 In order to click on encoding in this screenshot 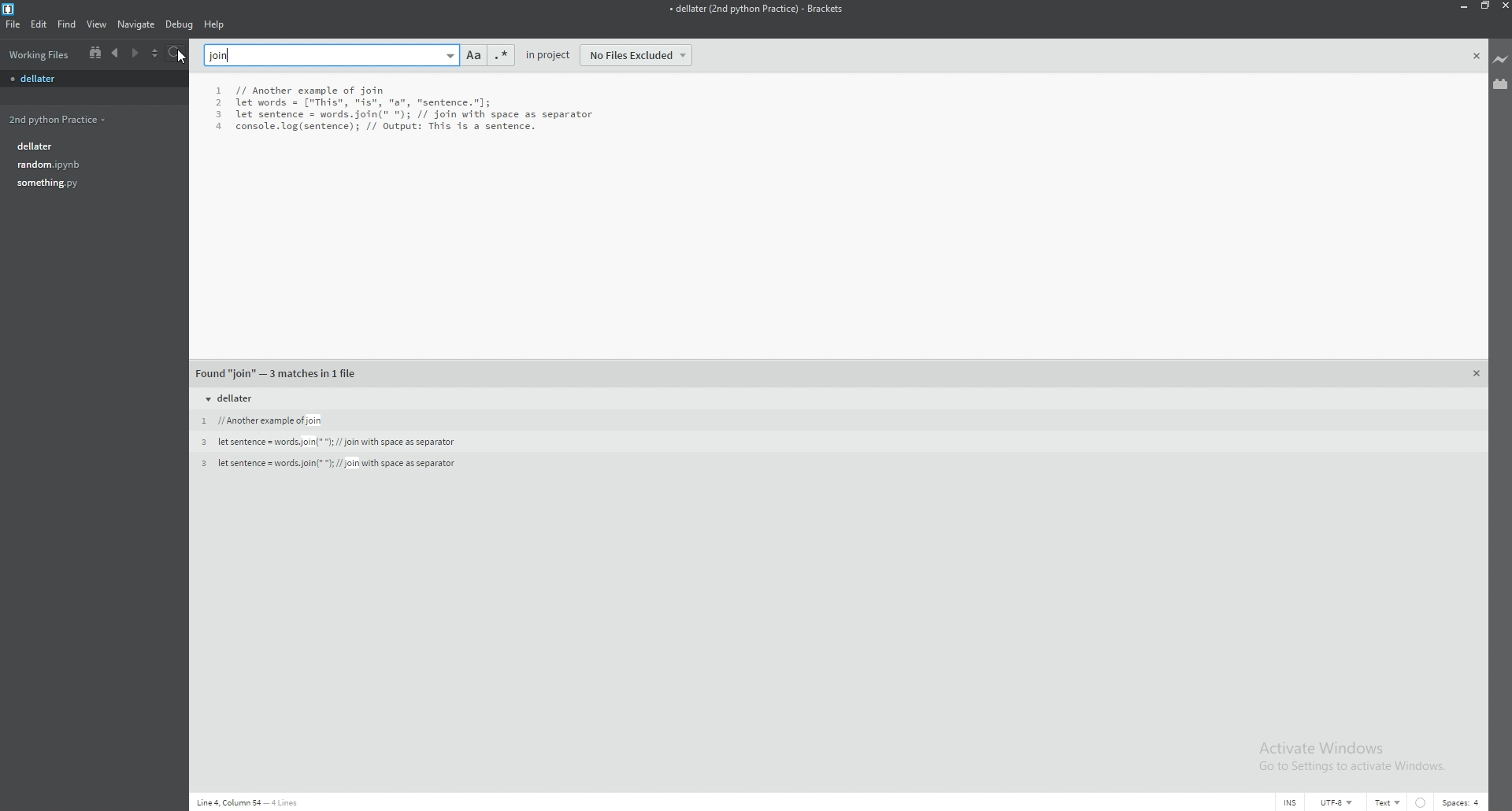, I will do `click(1337, 802)`.